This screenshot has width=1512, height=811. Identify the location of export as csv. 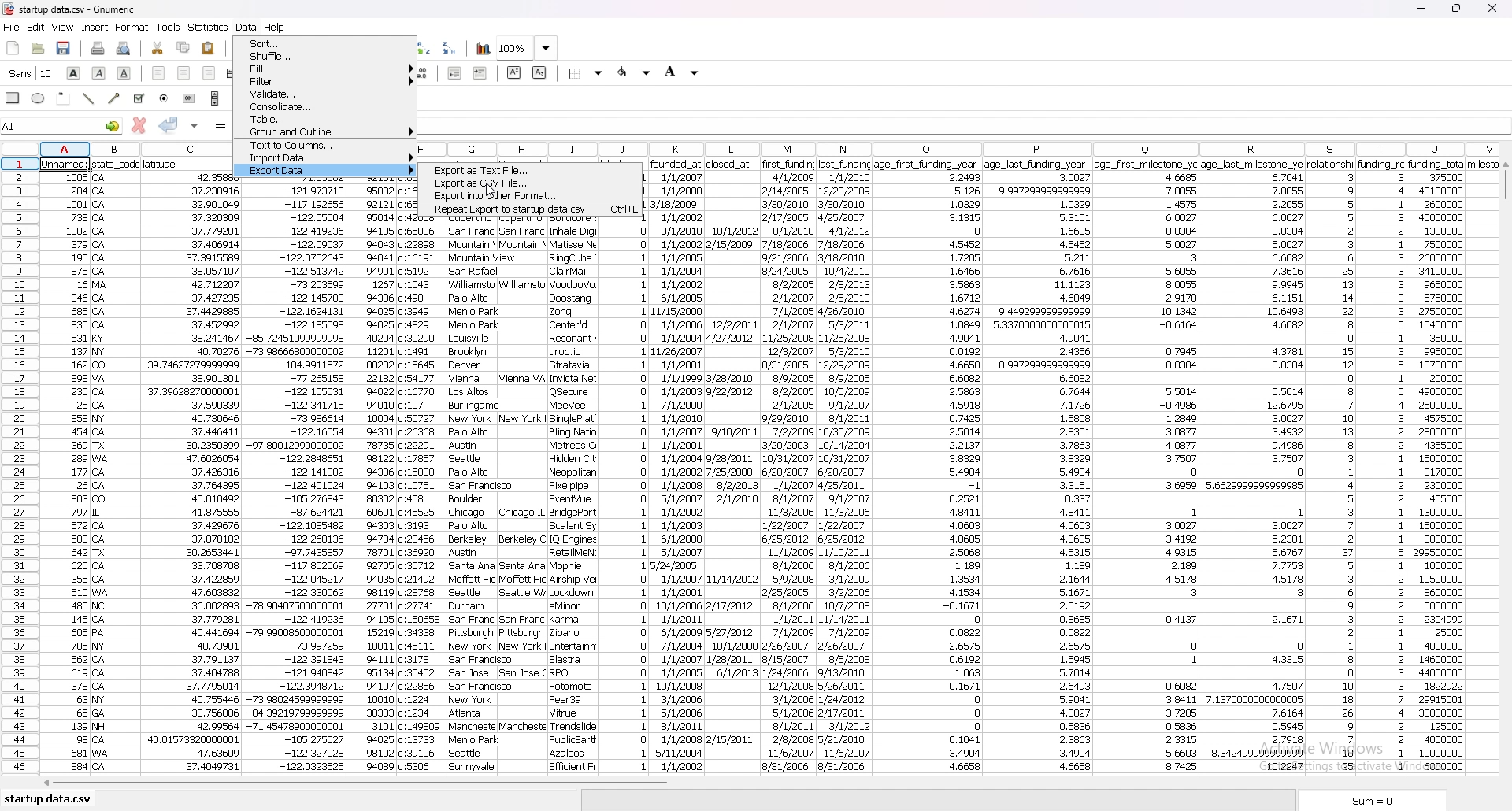
(533, 183).